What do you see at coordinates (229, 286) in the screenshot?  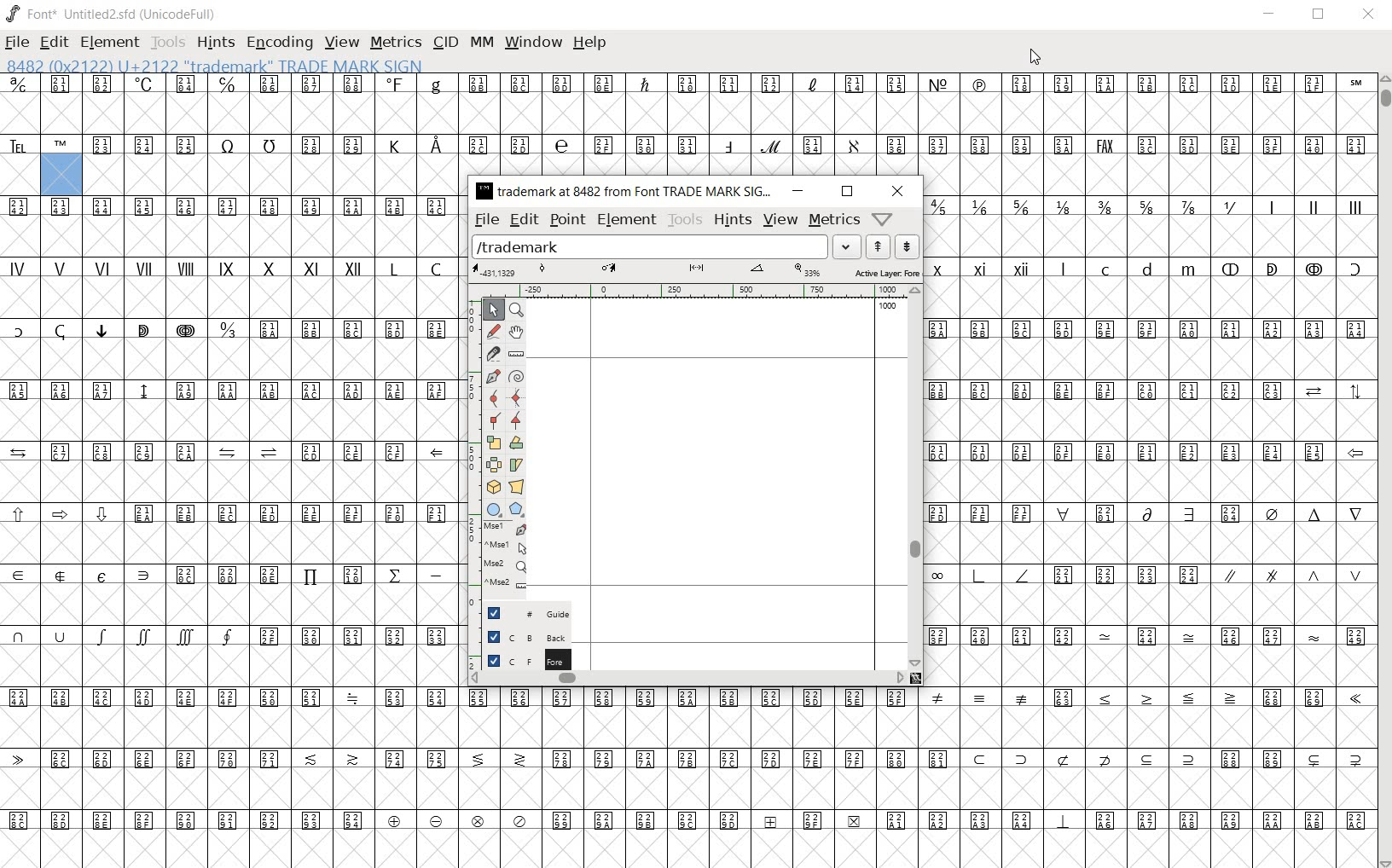 I see `roman characters` at bounding box center [229, 286].